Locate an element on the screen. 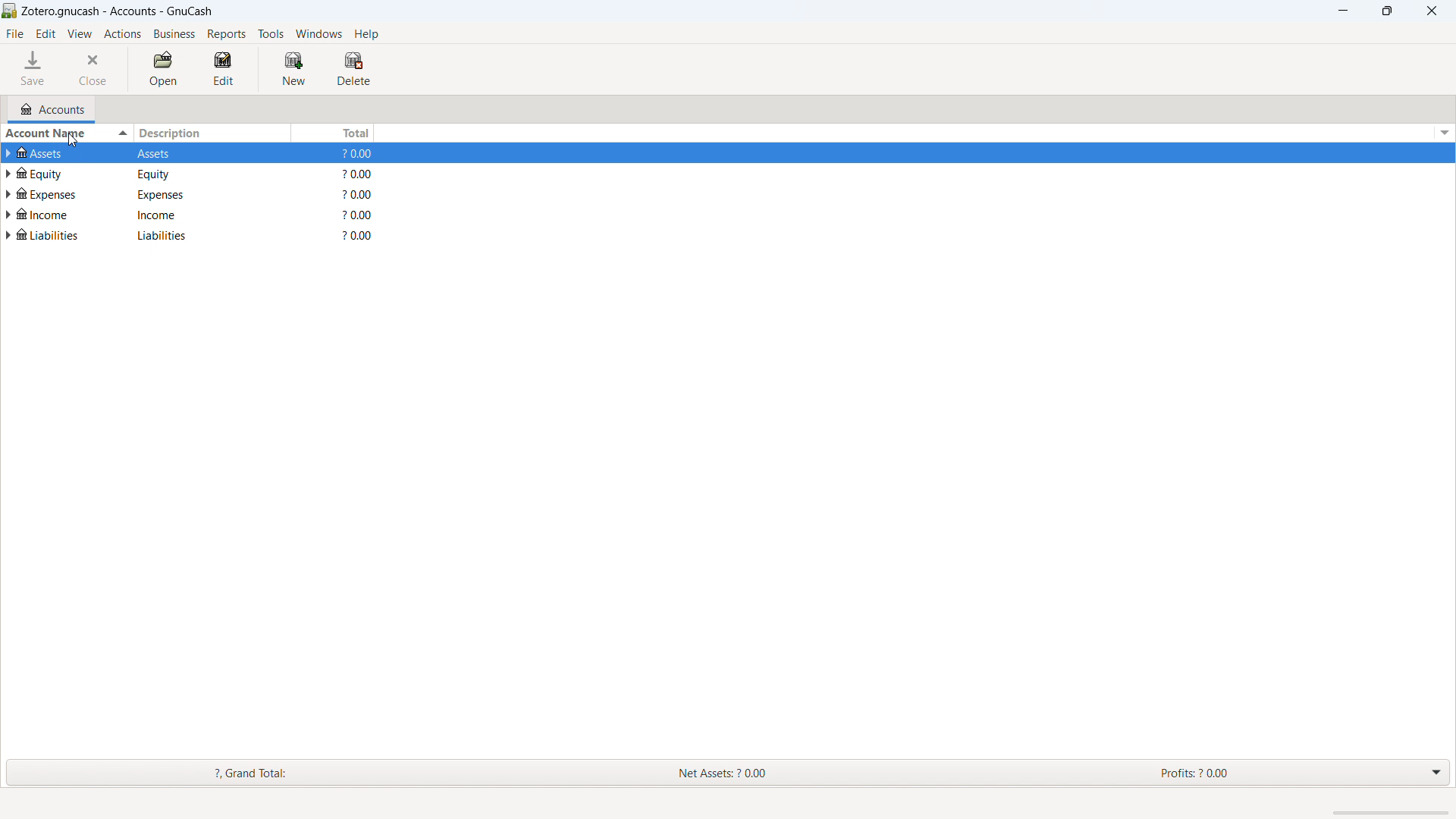  accounts tab is located at coordinates (53, 108).